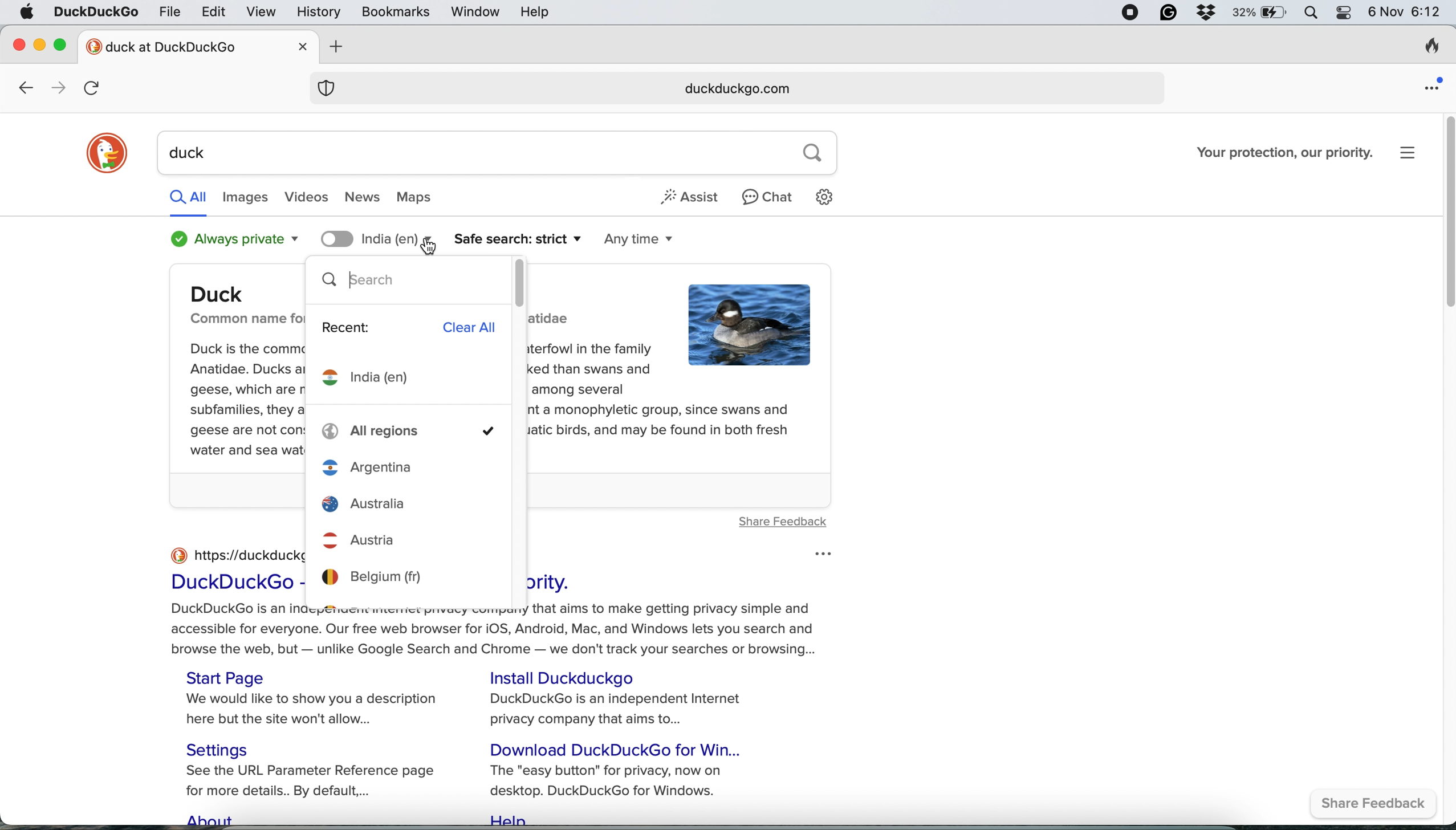  I want to click on all regions, so click(412, 432).